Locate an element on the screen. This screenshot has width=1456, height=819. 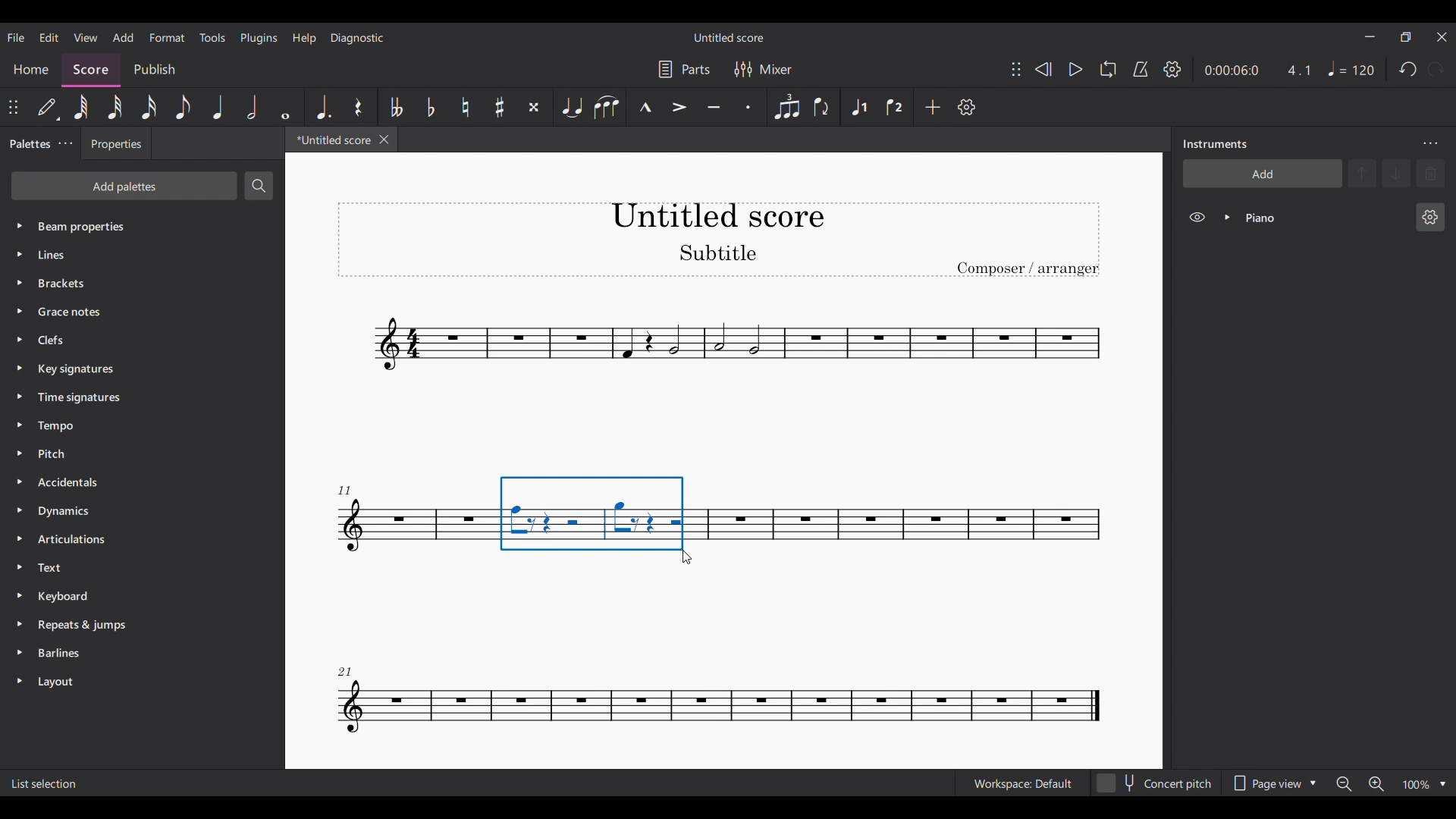
Flip direction is located at coordinates (822, 108).